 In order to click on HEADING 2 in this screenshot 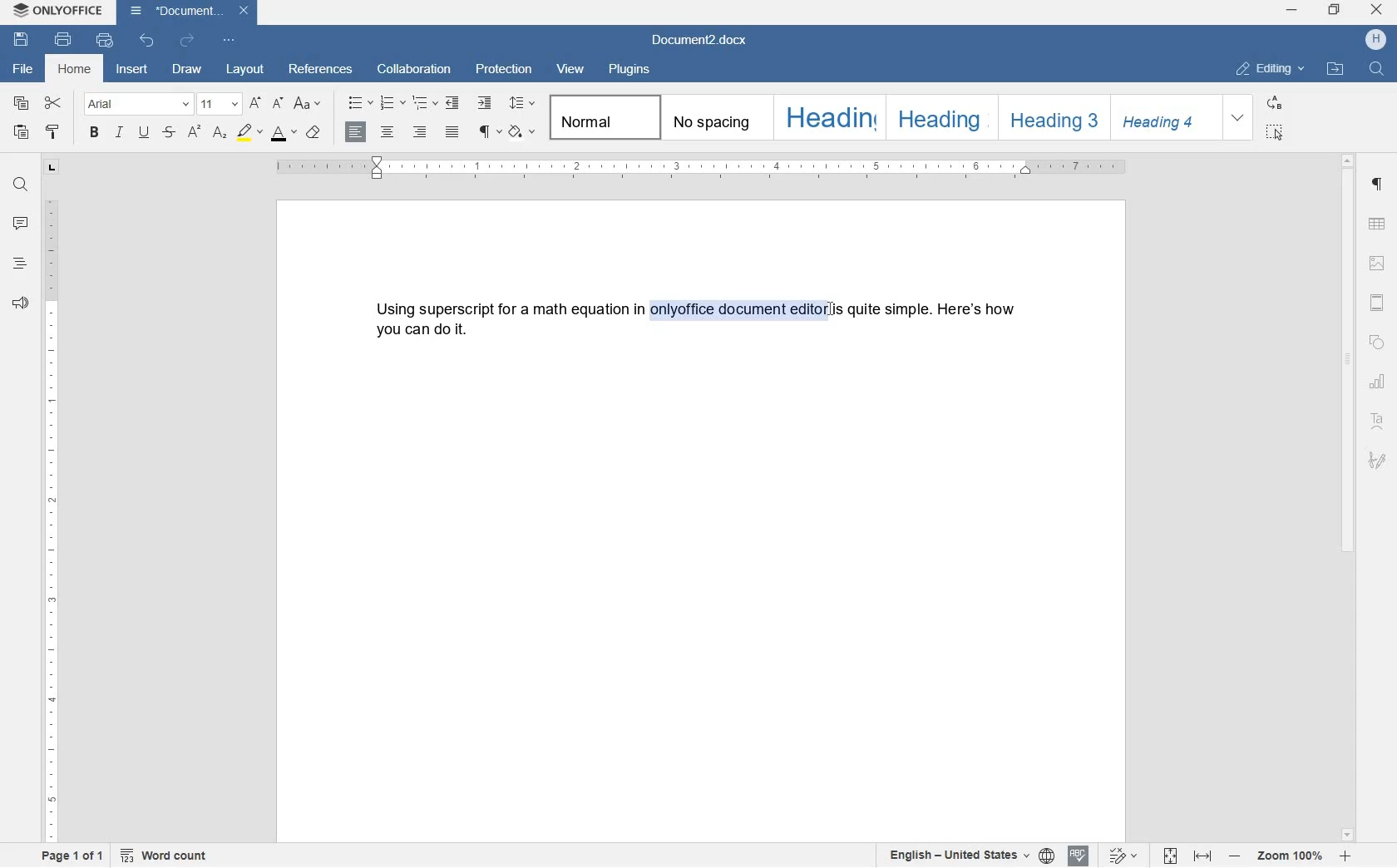, I will do `click(937, 116)`.